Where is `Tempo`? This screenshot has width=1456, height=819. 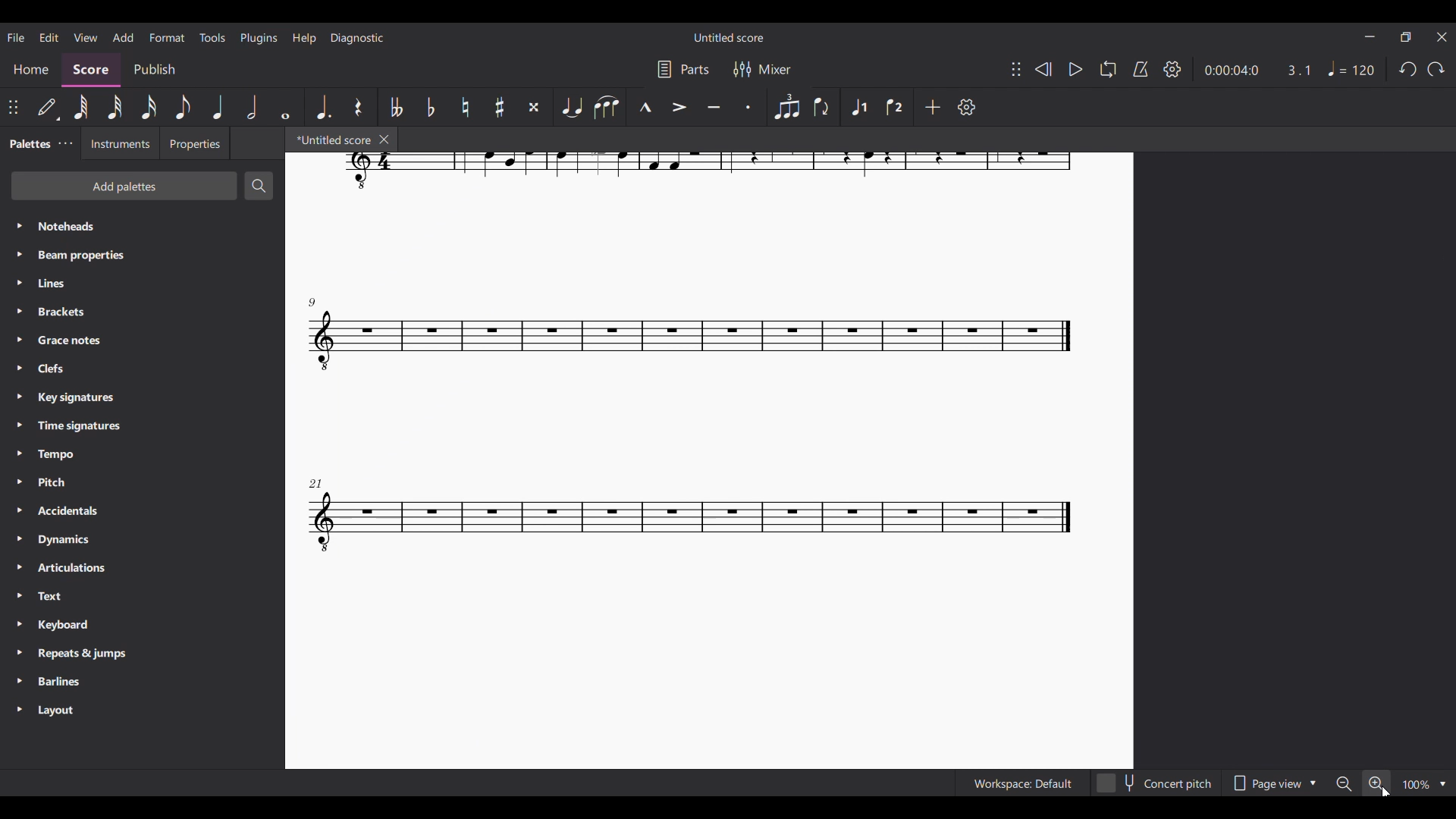 Tempo is located at coordinates (142, 454).